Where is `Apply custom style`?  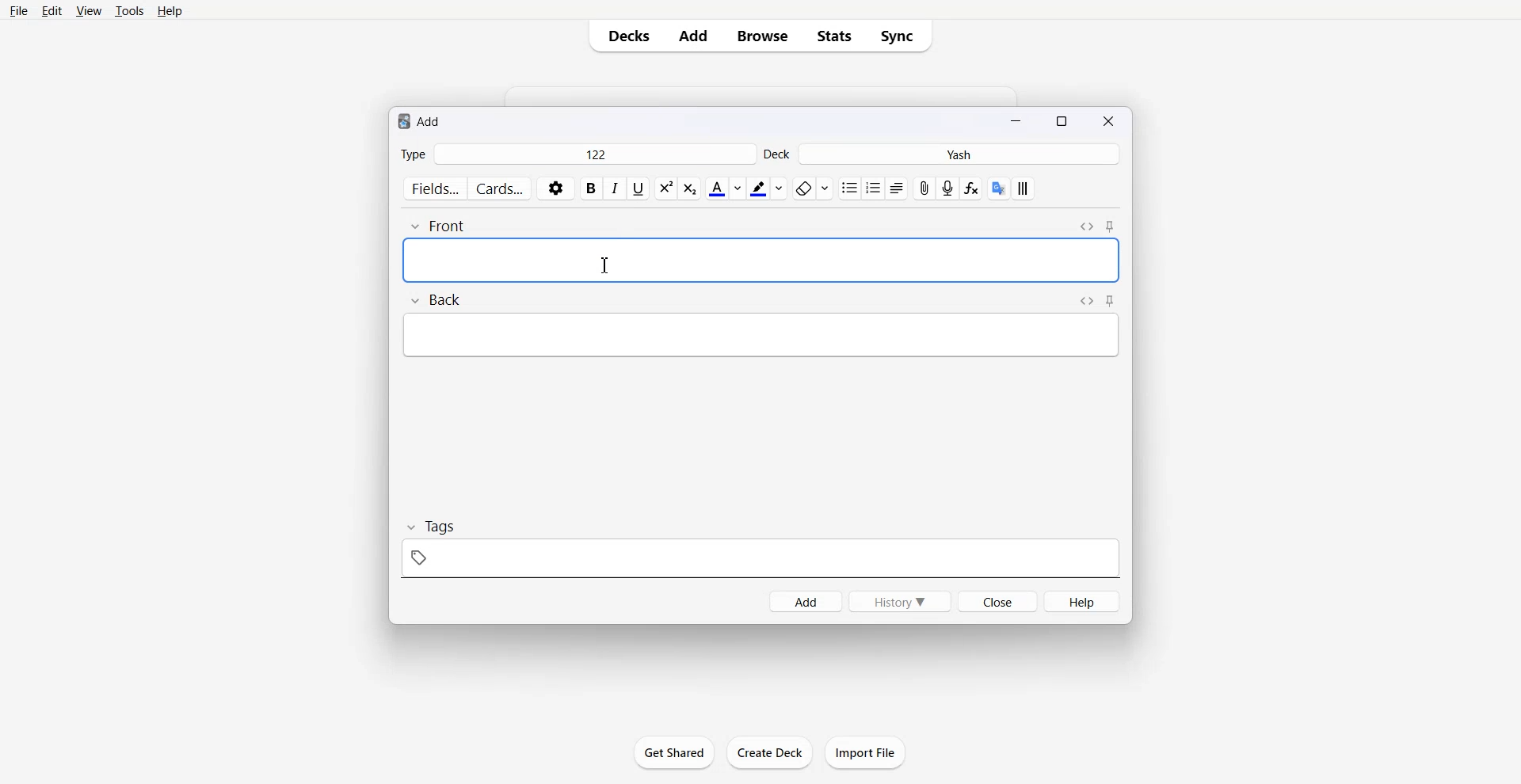 Apply custom style is located at coordinates (1023, 188).